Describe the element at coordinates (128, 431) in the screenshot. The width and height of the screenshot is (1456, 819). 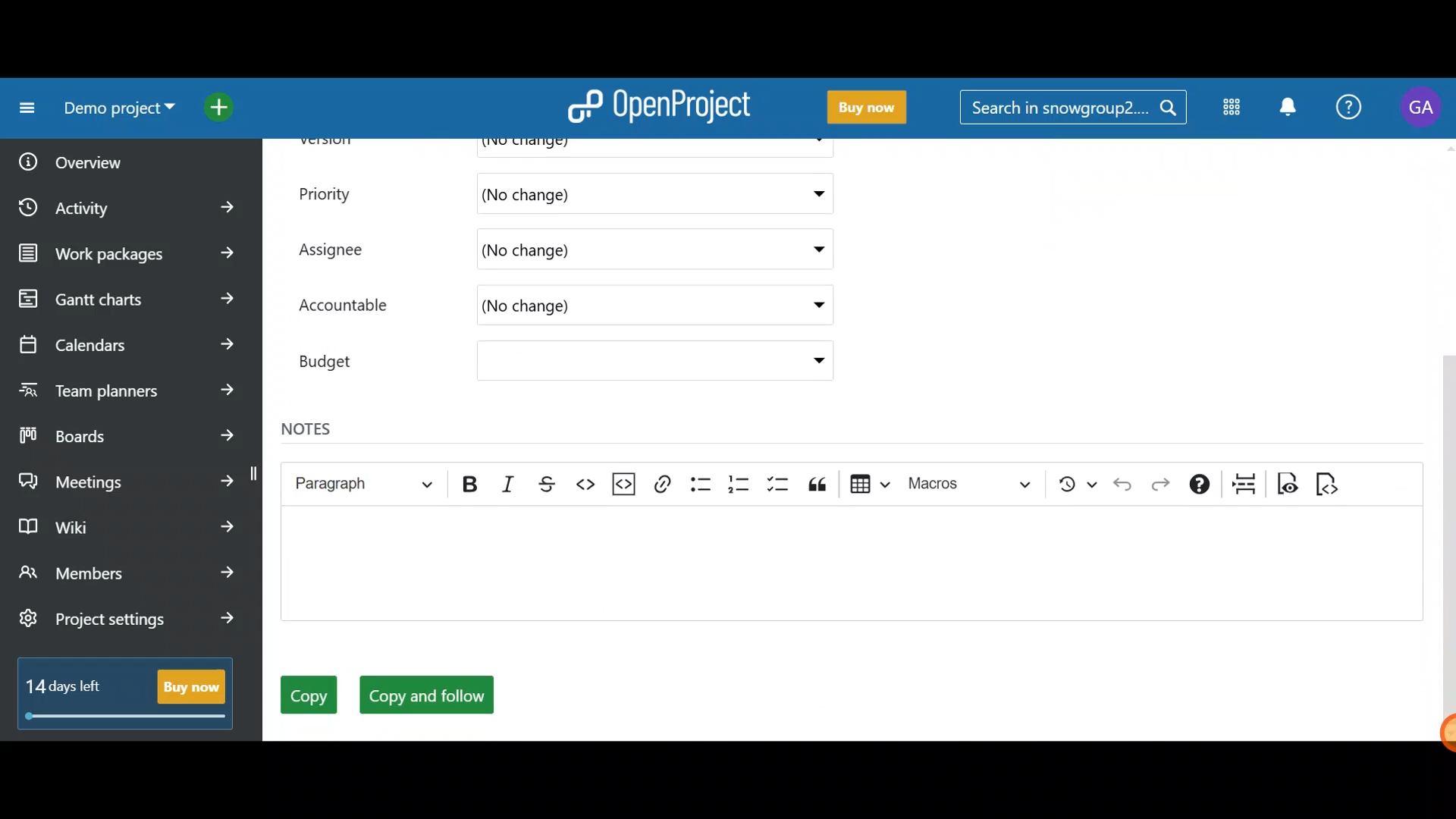
I see `Boards` at that location.